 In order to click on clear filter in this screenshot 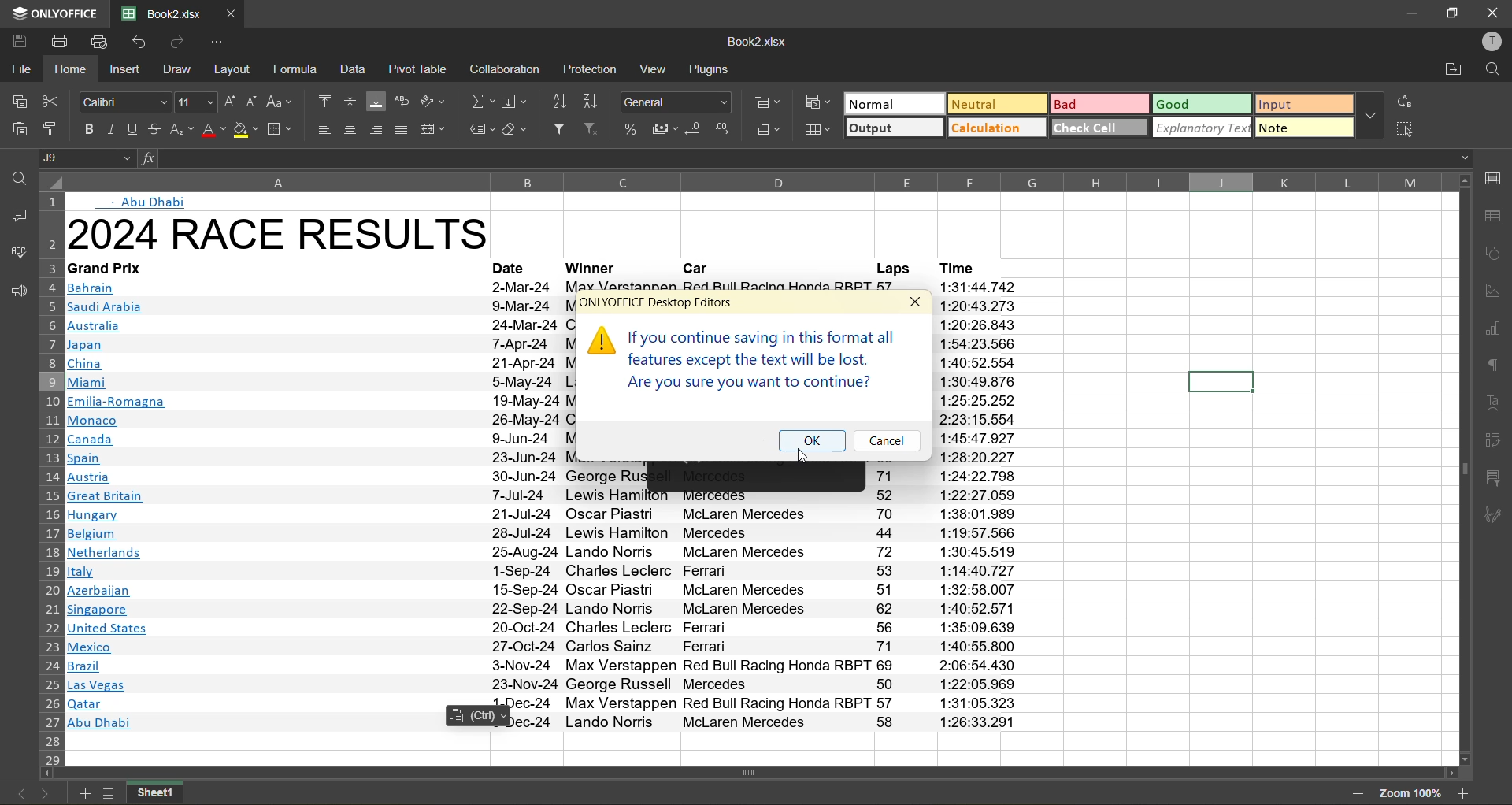, I will do `click(592, 128)`.